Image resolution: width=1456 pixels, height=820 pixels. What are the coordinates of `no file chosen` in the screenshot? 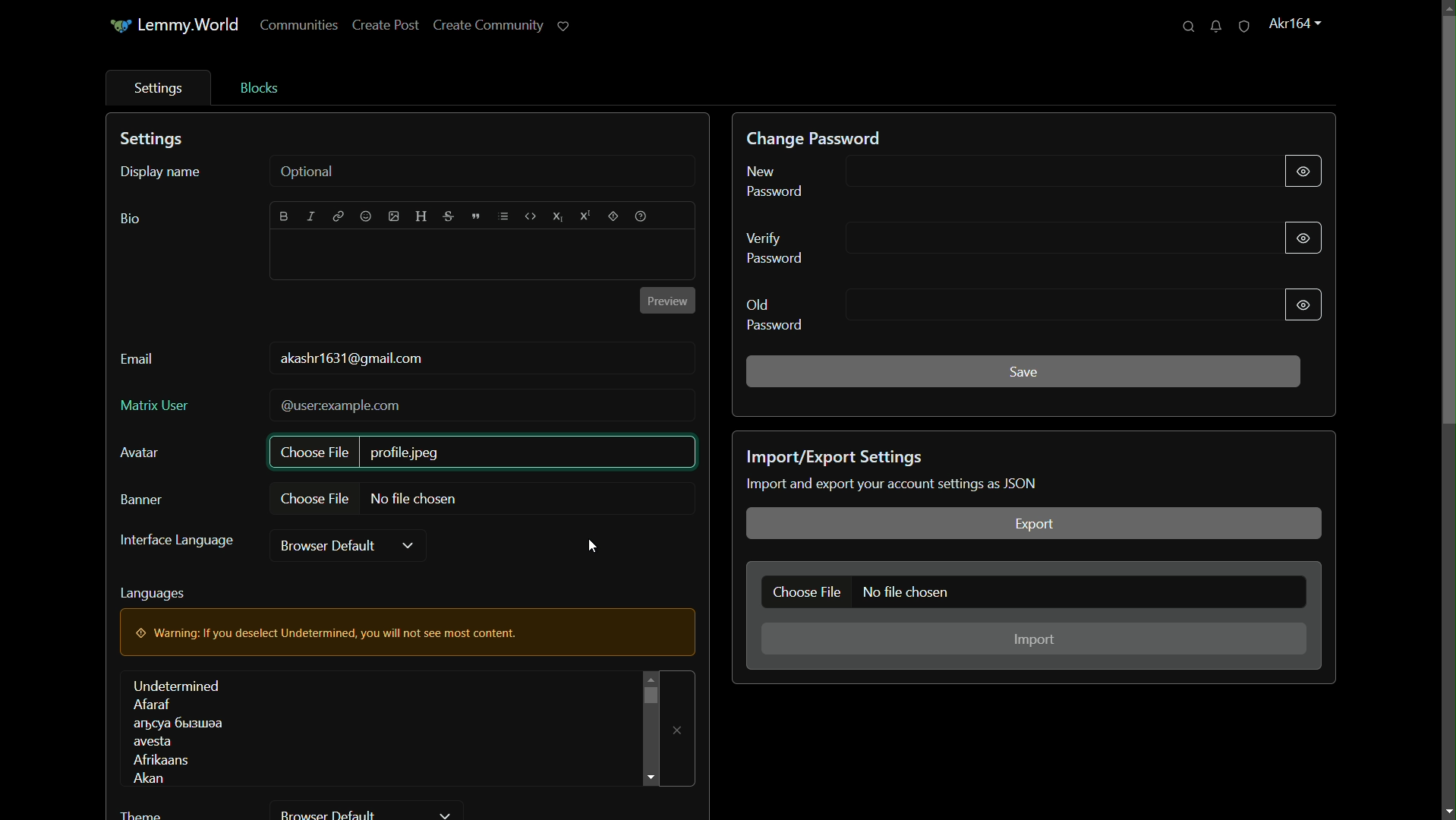 It's located at (909, 593).